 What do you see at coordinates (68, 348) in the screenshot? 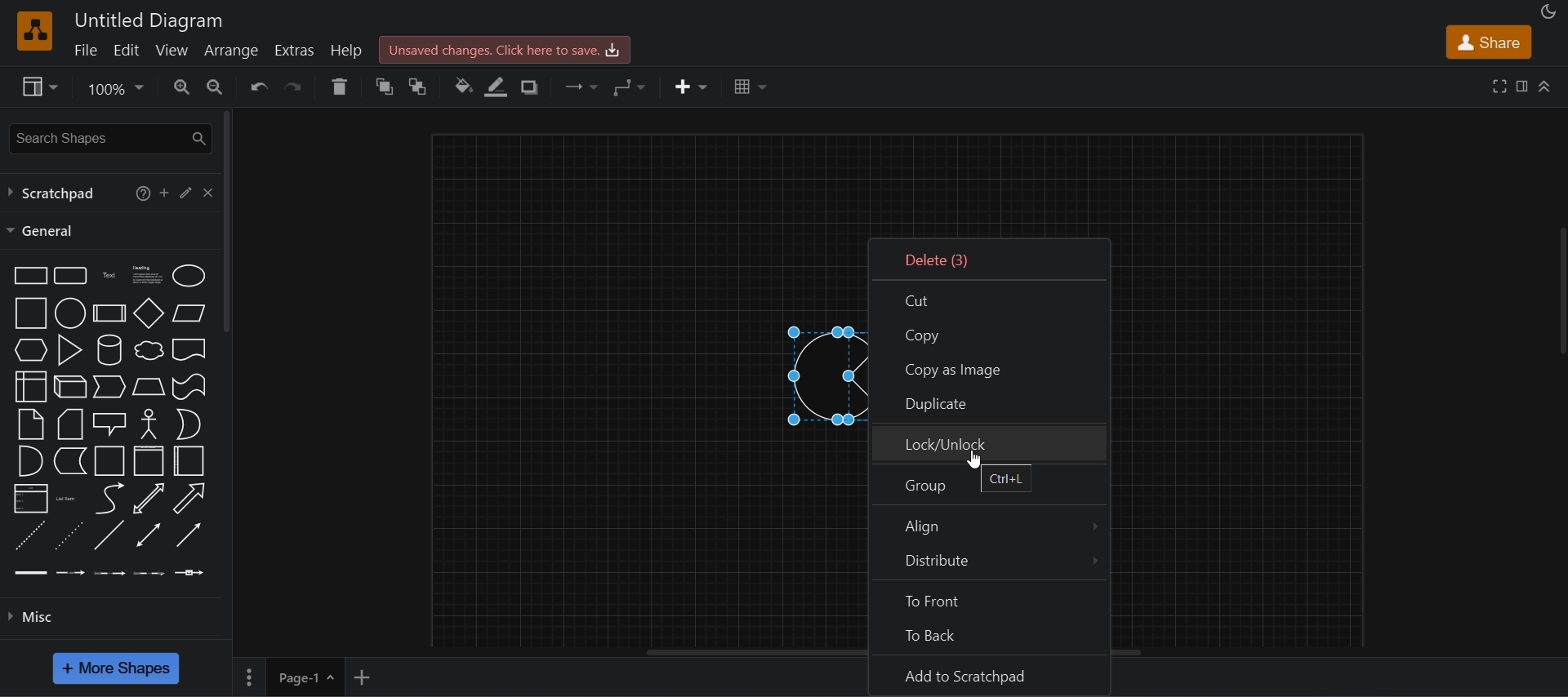
I see `triangle` at bounding box center [68, 348].